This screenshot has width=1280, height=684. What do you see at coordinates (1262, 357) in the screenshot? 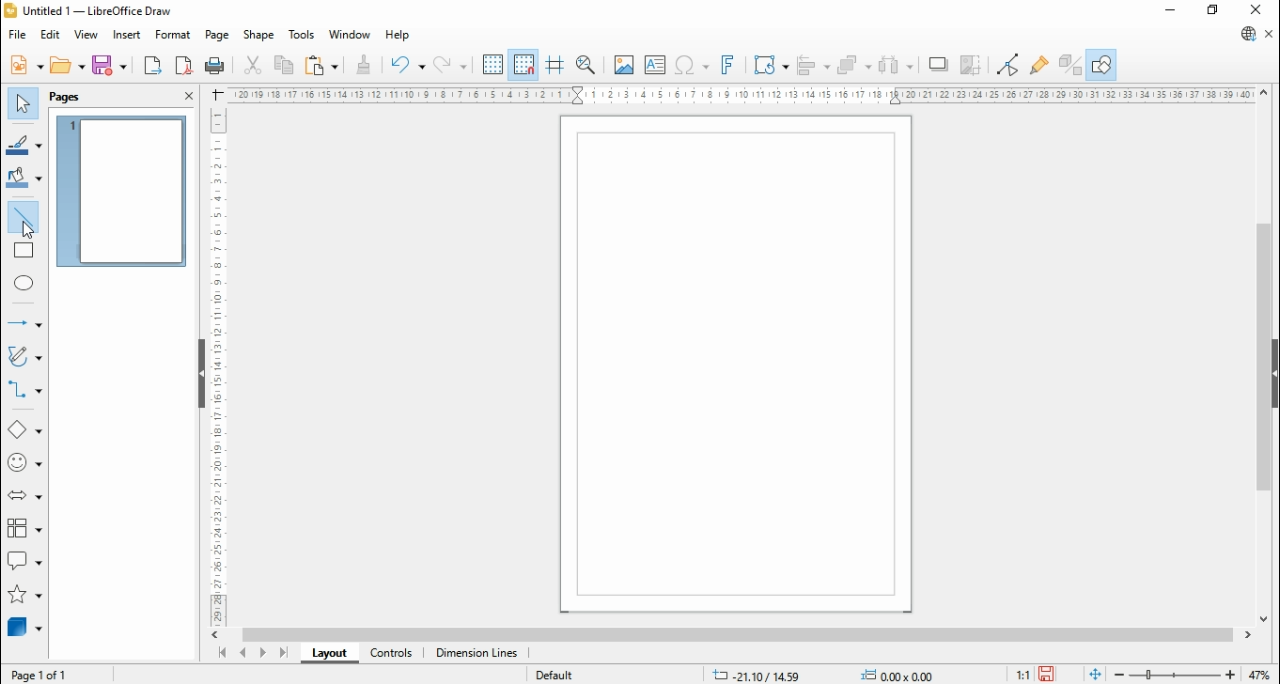
I see `scroll bar` at bounding box center [1262, 357].